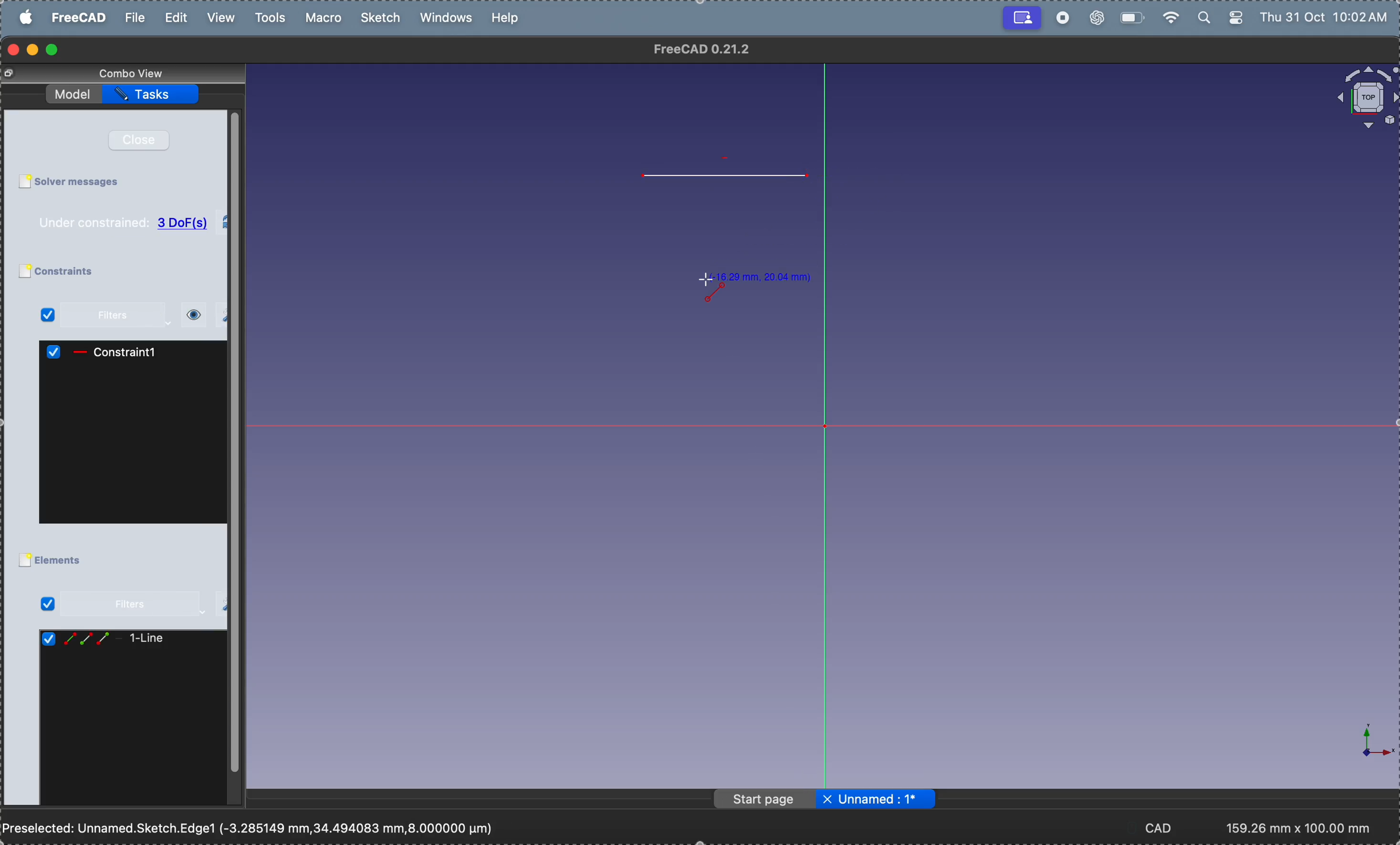 This screenshot has width=1400, height=845. Describe the element at coordinates (74, 92) in the screenshot. I see `model` at that location.